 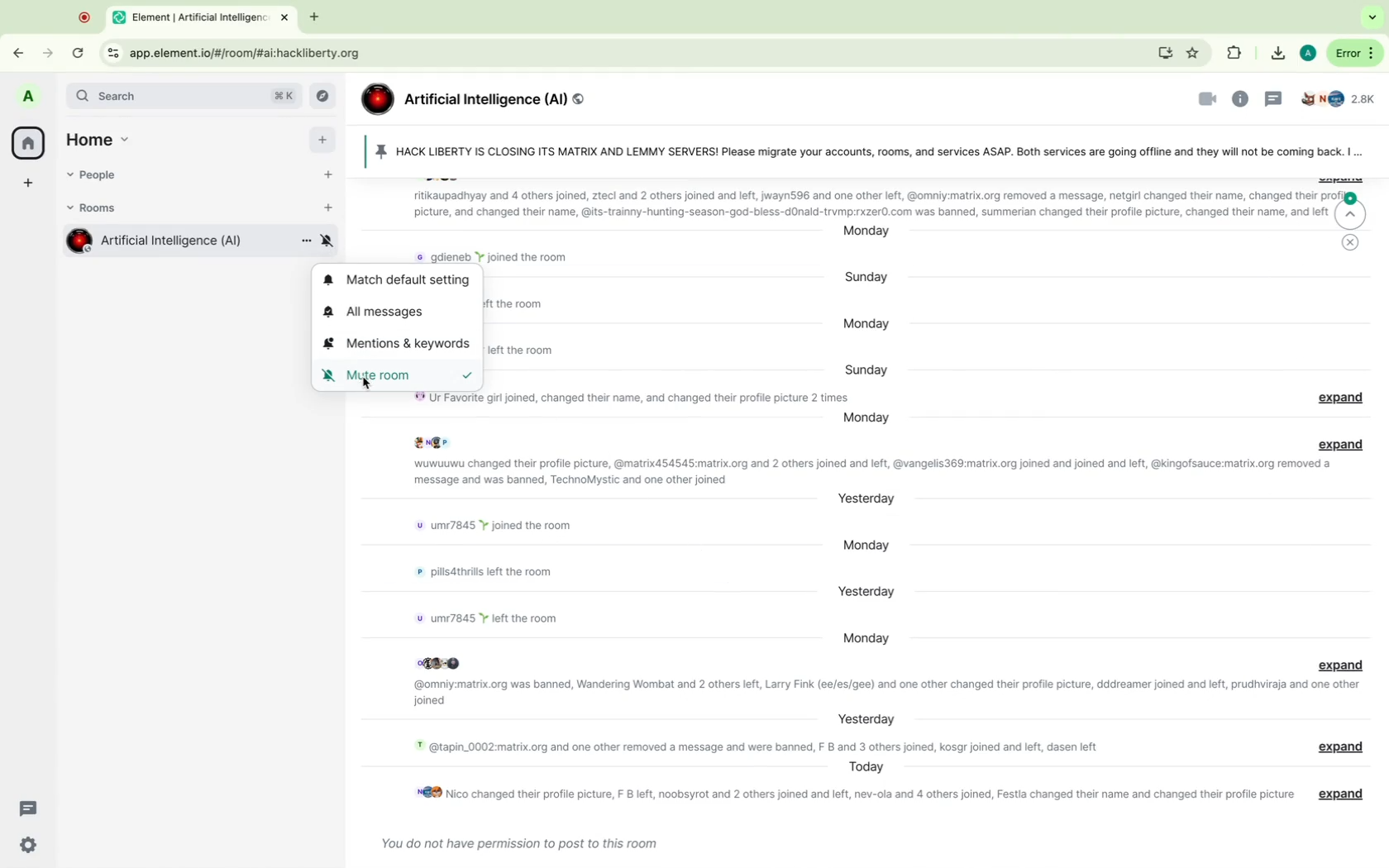 I want to click on message, so click(x=890, y=693).